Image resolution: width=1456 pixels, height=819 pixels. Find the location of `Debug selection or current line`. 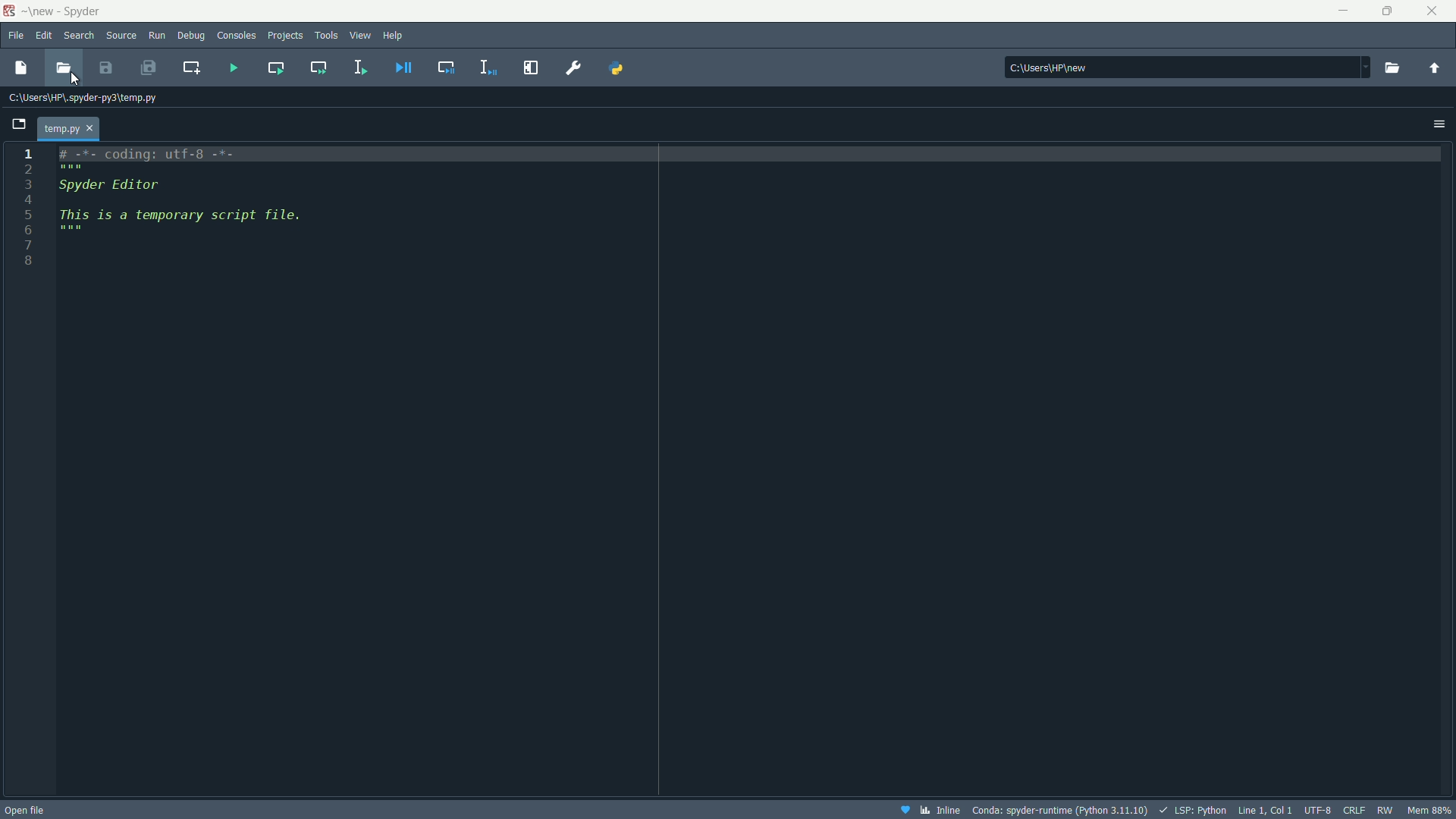

Debug selection or current line is located at coordinates (487, 67).